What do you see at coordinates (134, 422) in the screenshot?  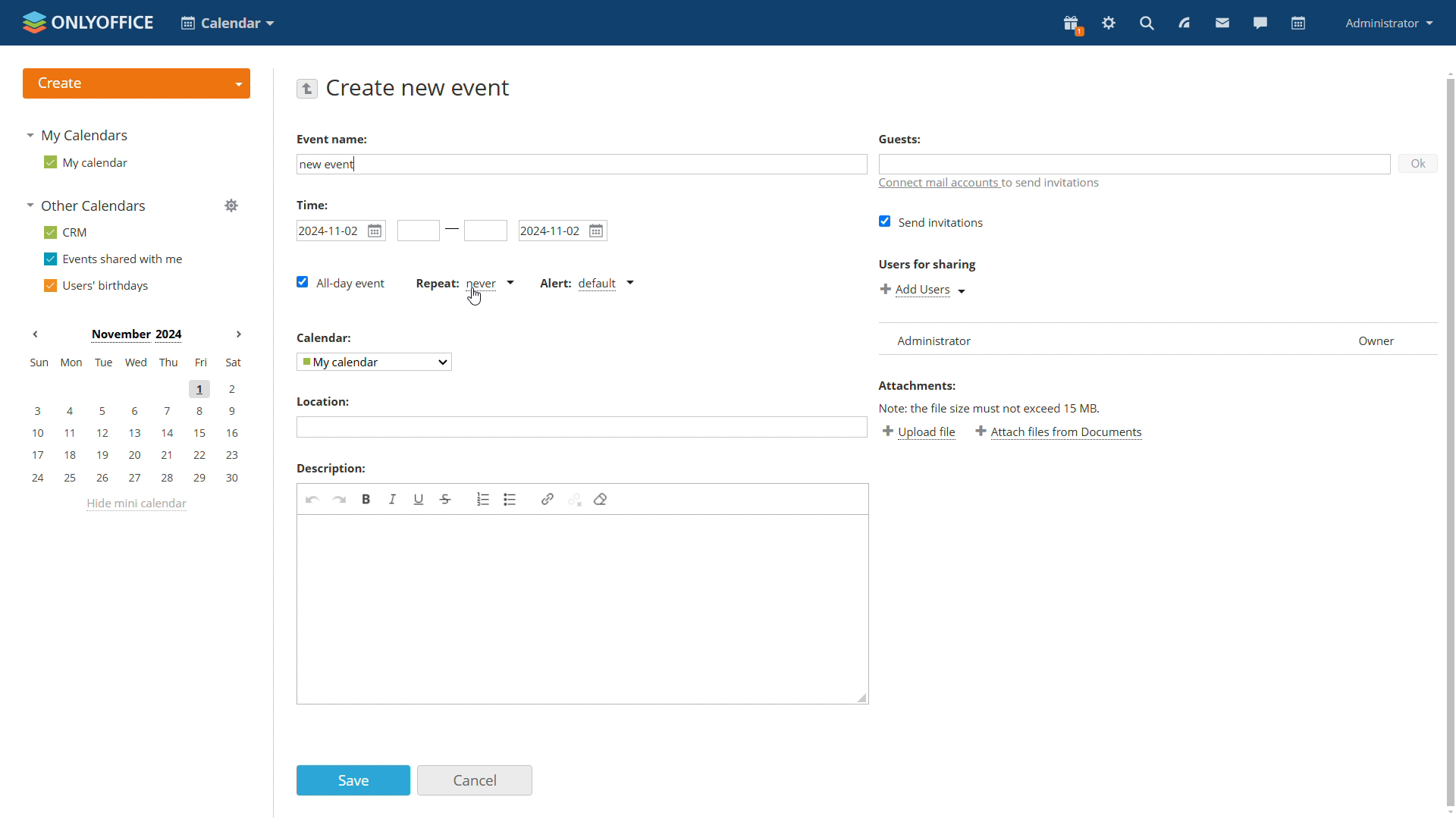 I see `mini calendar` at bounding box center [134, 422].